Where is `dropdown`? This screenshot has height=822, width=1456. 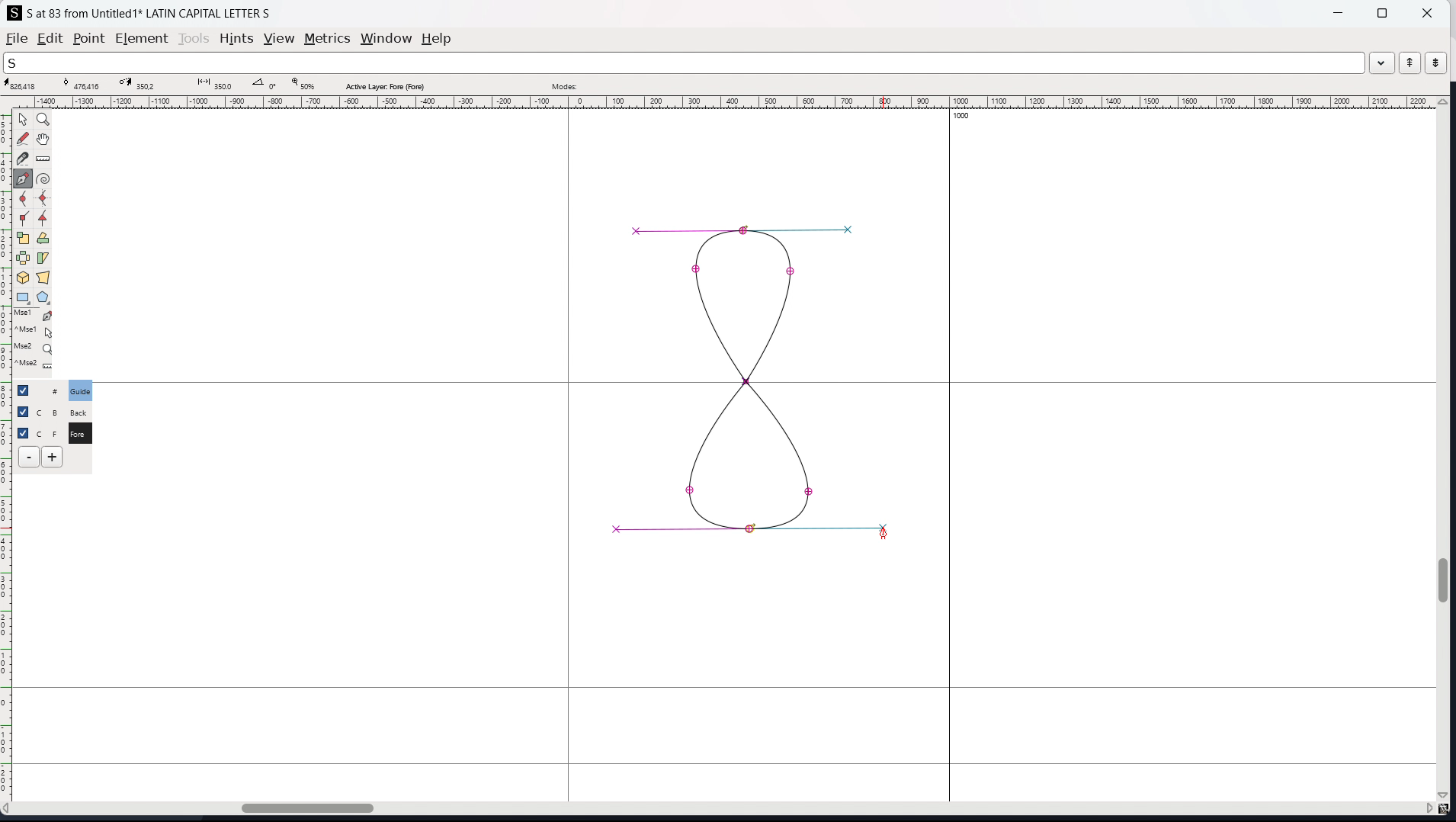
dropdown is located at coordinates (1382, 62).